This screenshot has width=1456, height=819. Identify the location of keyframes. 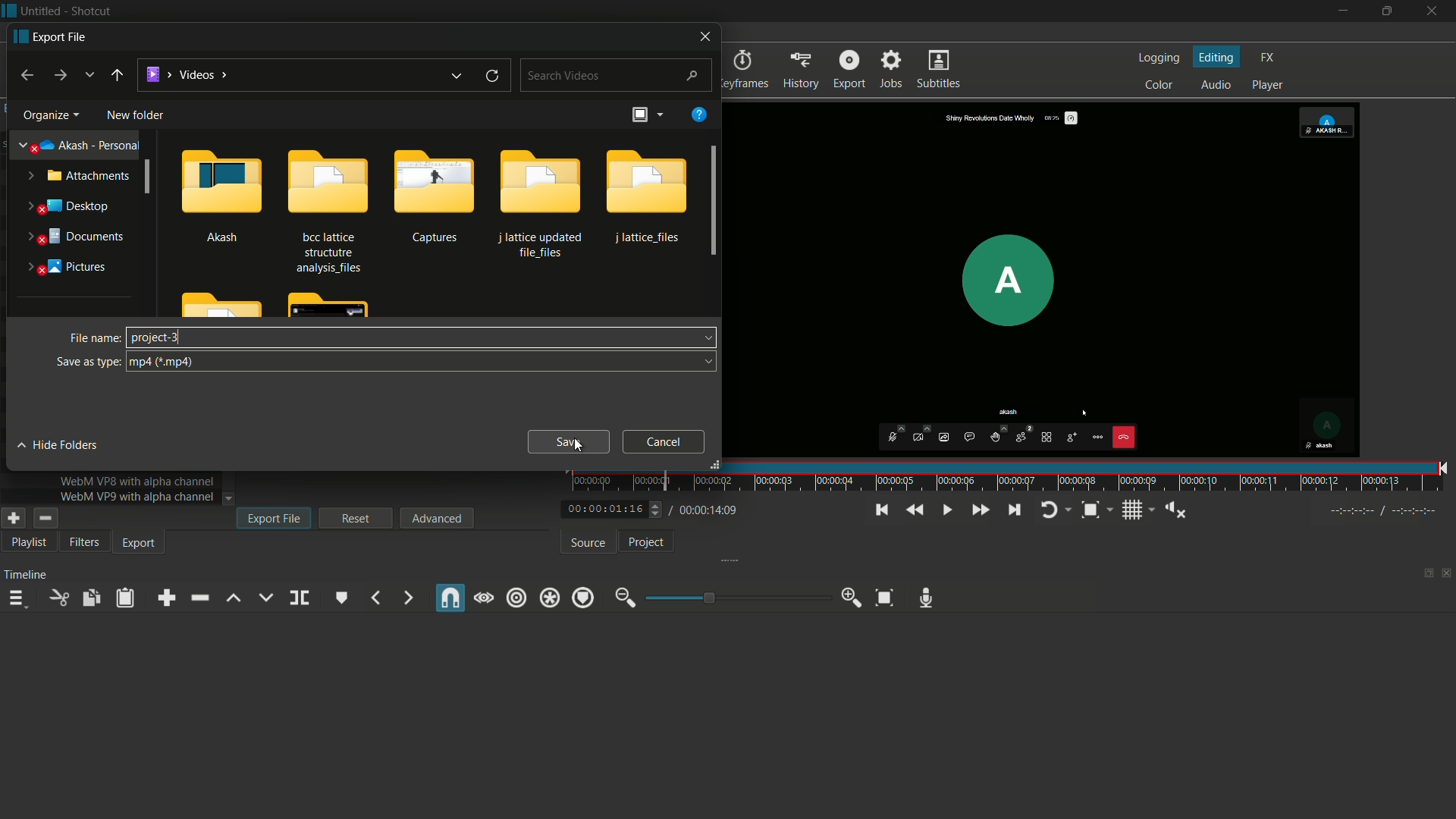
(743, 71).